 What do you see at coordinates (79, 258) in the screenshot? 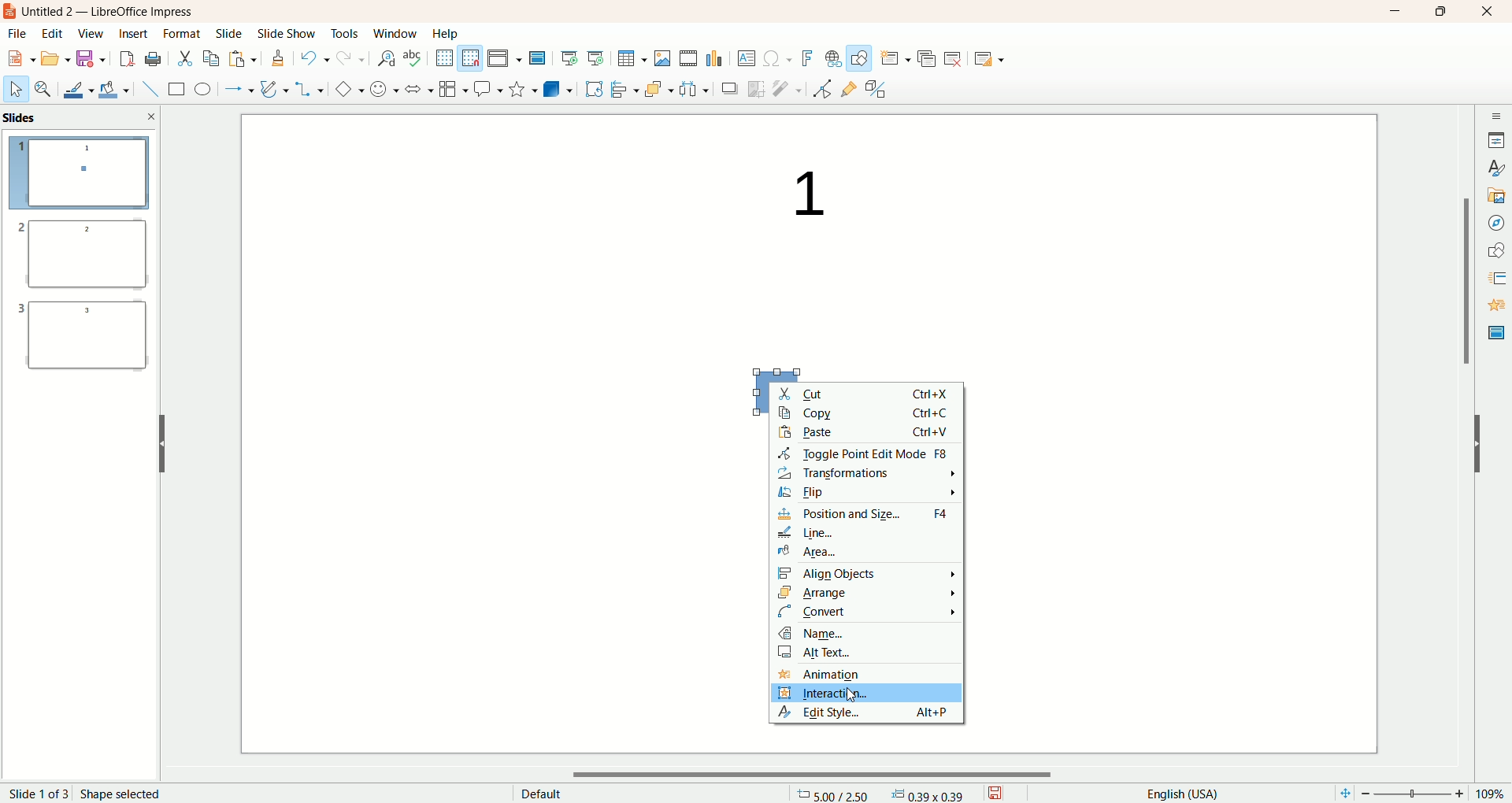
I see `slide 2` at bounding box center [79, 258].